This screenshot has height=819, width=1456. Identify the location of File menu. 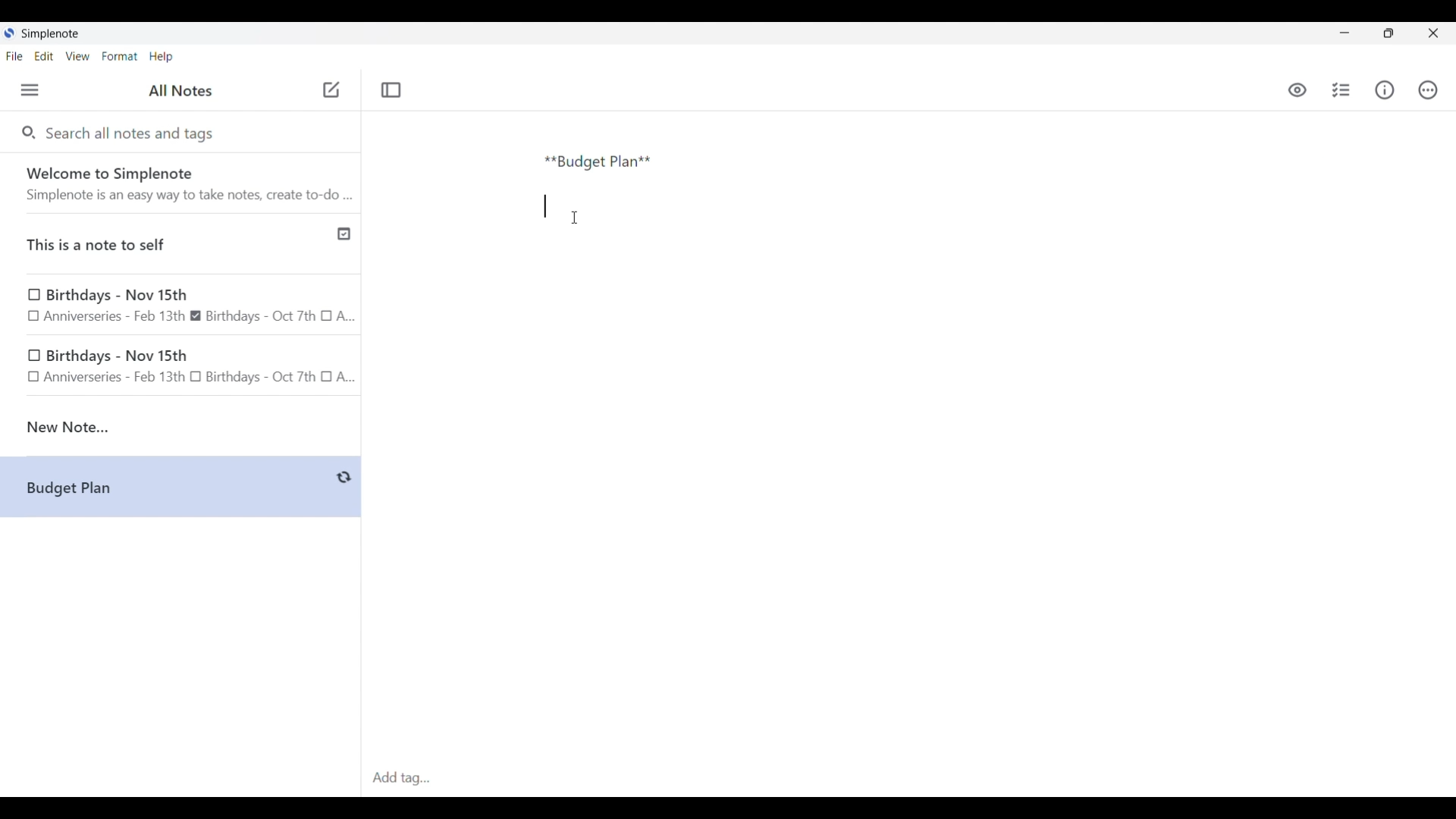
(14, 55).